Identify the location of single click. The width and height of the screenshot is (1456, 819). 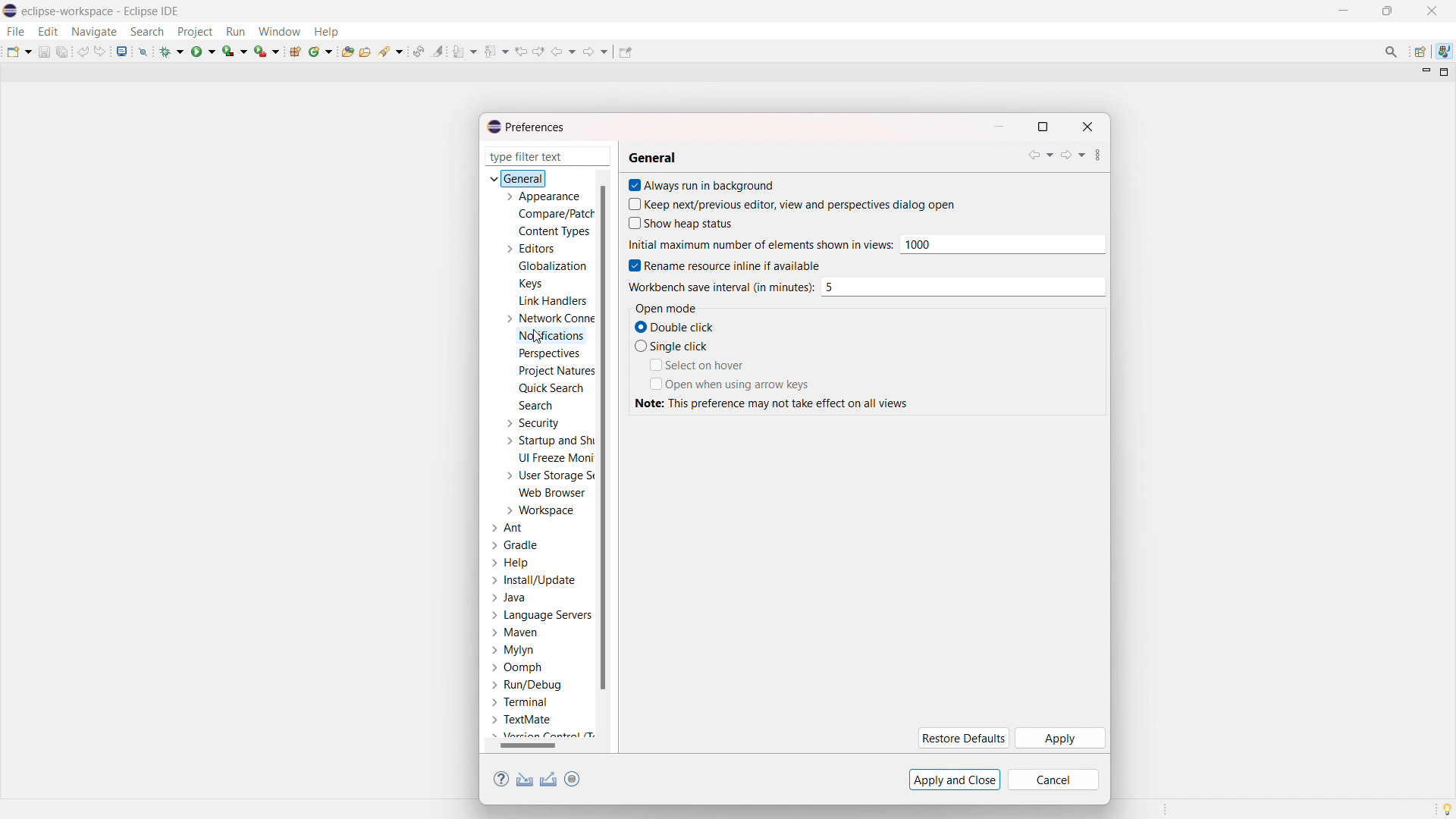
(682, 346).